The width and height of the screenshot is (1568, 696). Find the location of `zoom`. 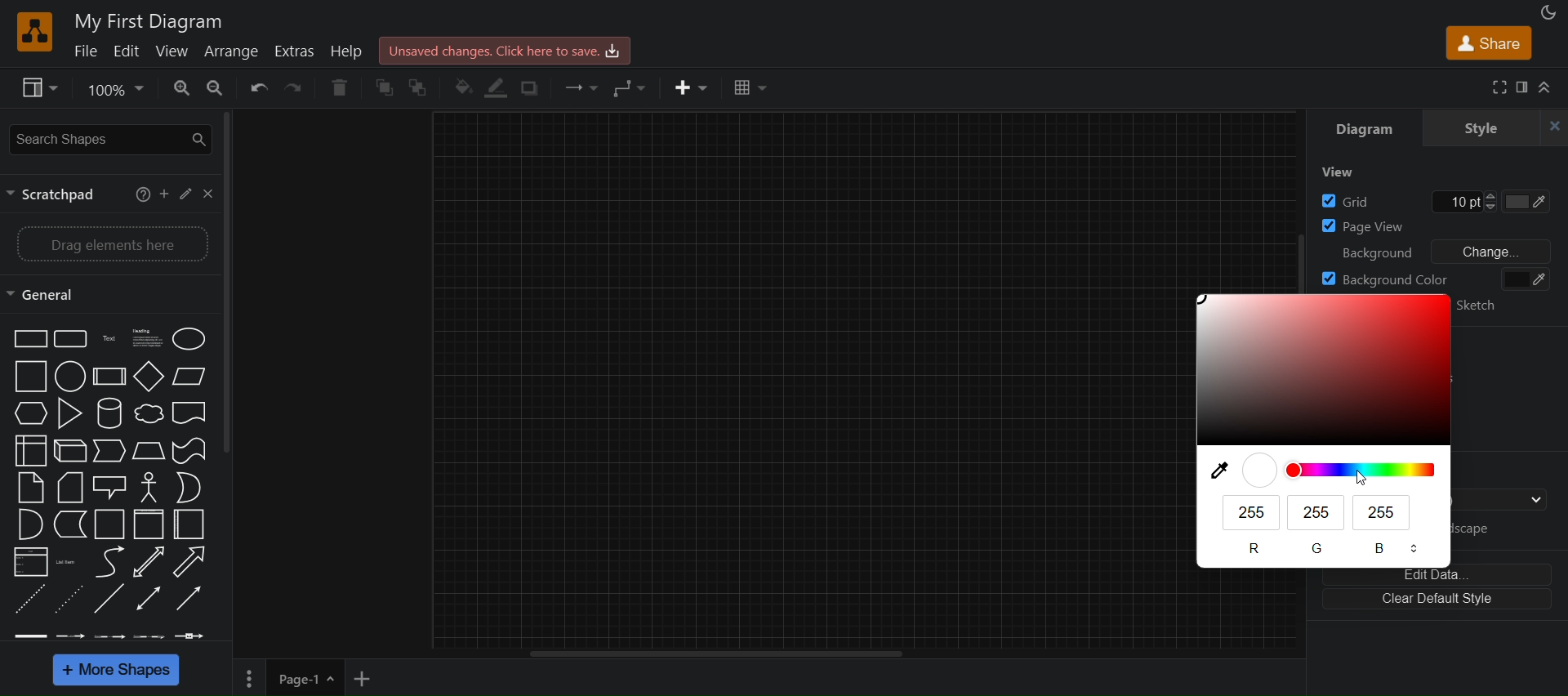

zoom is located at coordinates (114, 87).